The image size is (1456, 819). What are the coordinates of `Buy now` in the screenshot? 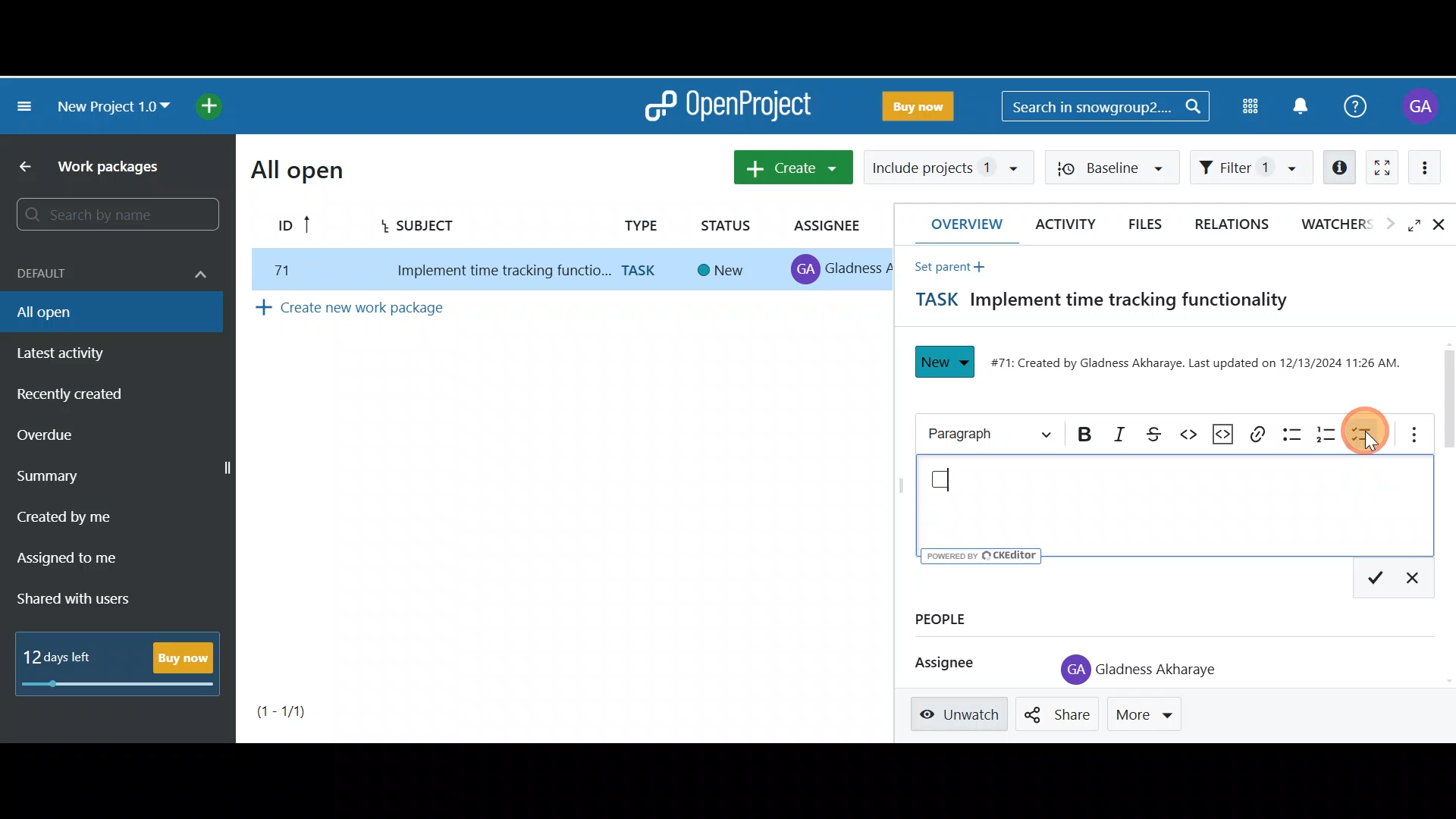 It's located at (185, 657).